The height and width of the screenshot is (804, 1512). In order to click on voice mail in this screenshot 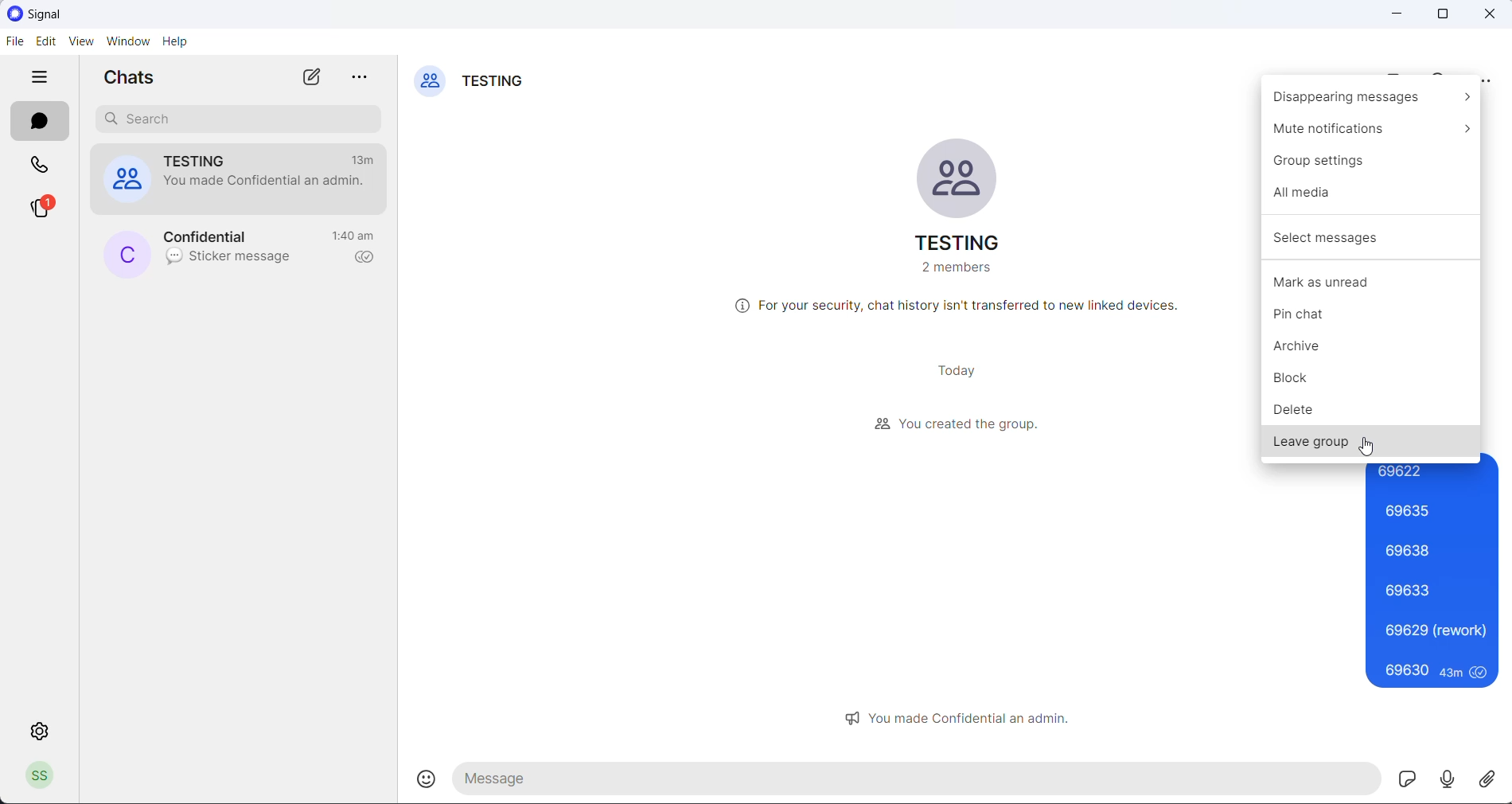, I will do `click(1451, 778)`.